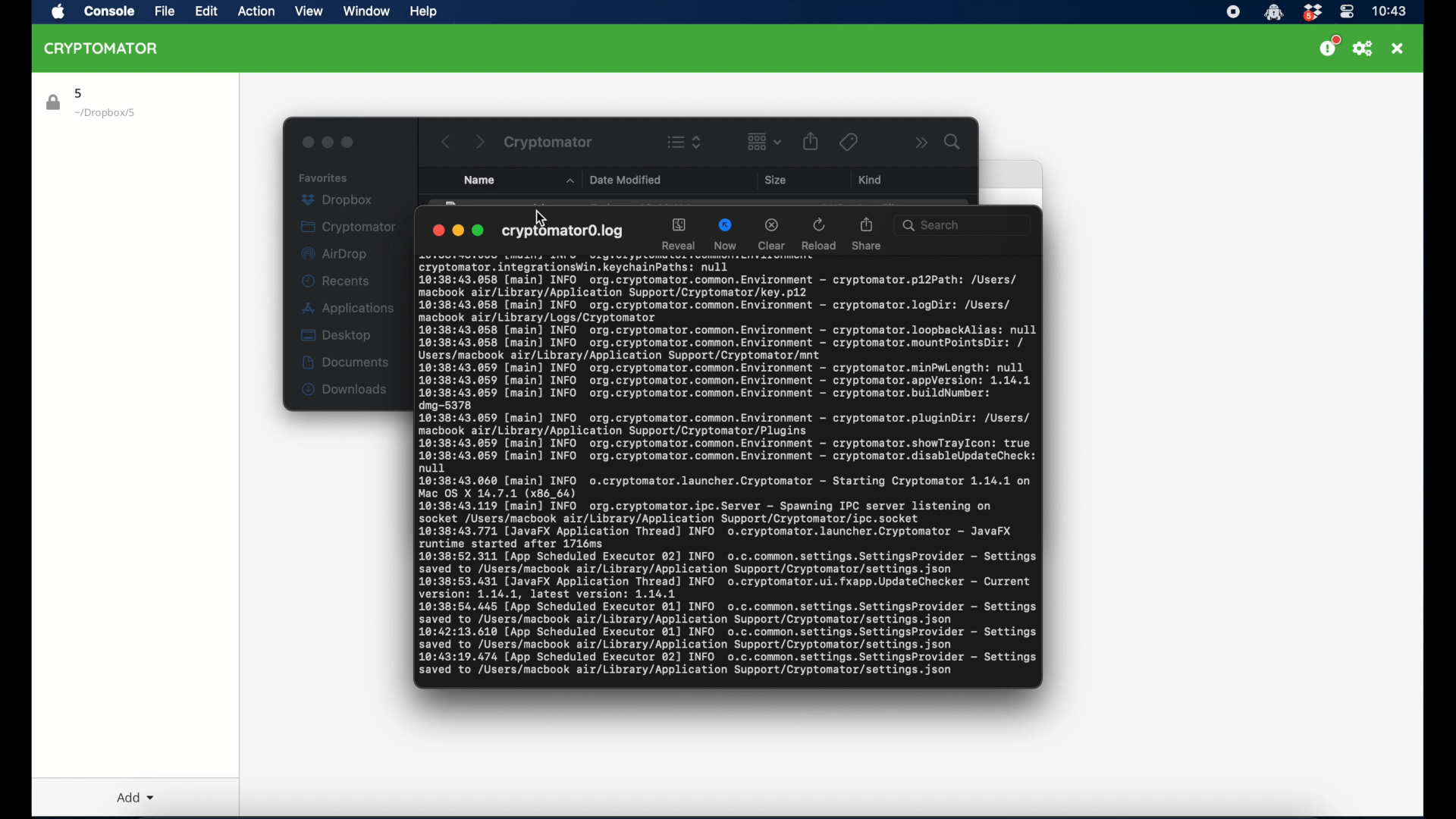 This screenshot has width=1456, height=819. Describe the element at coordinates (770, 246) in the screenshot. I see `clear` at that location.